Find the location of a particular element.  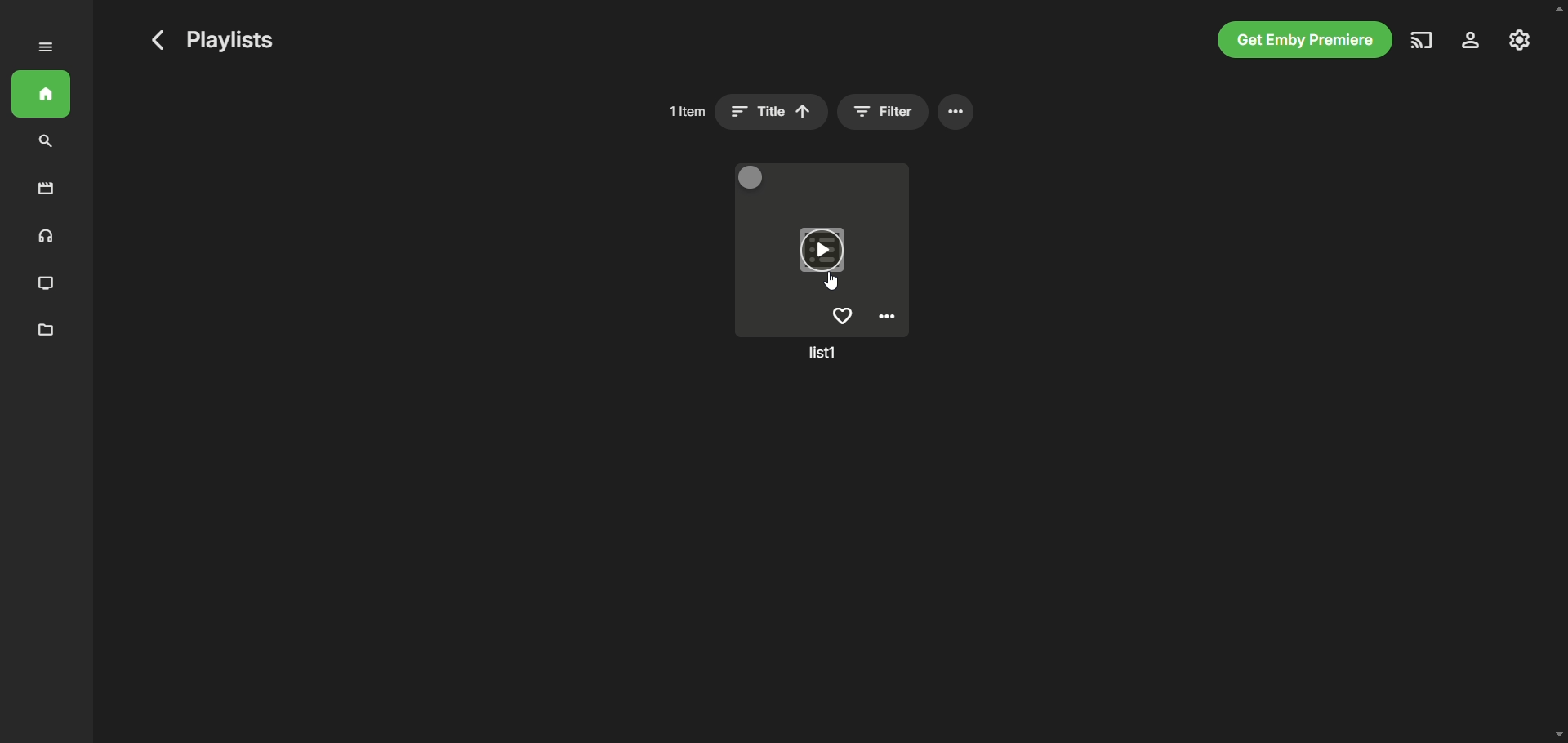

settings is located at coordinates (1472, 40).